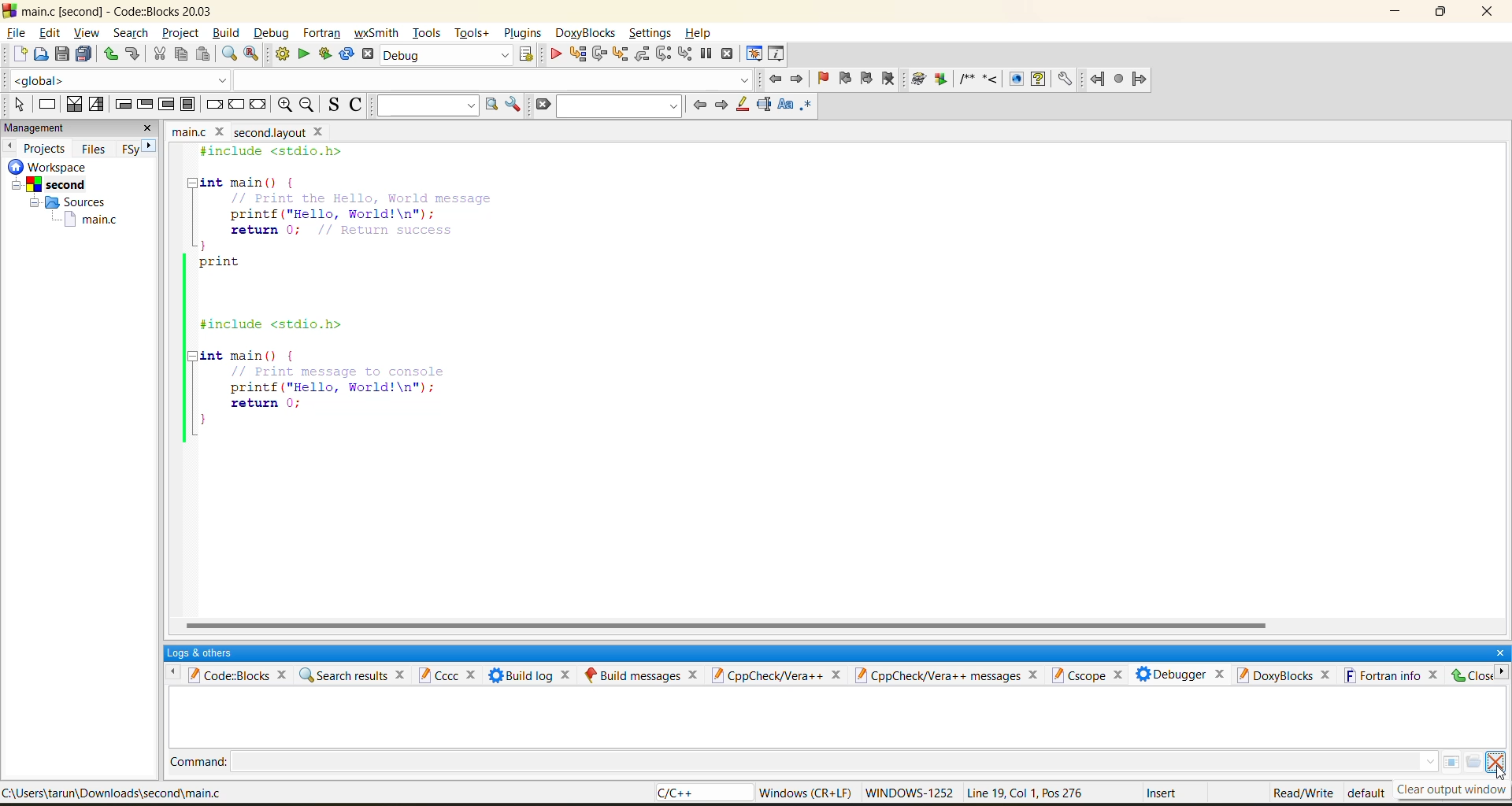 The image size is (1512, 806). Describe the element at coordinates (426, 105) in the screenshot. I see `text to search` at that location.